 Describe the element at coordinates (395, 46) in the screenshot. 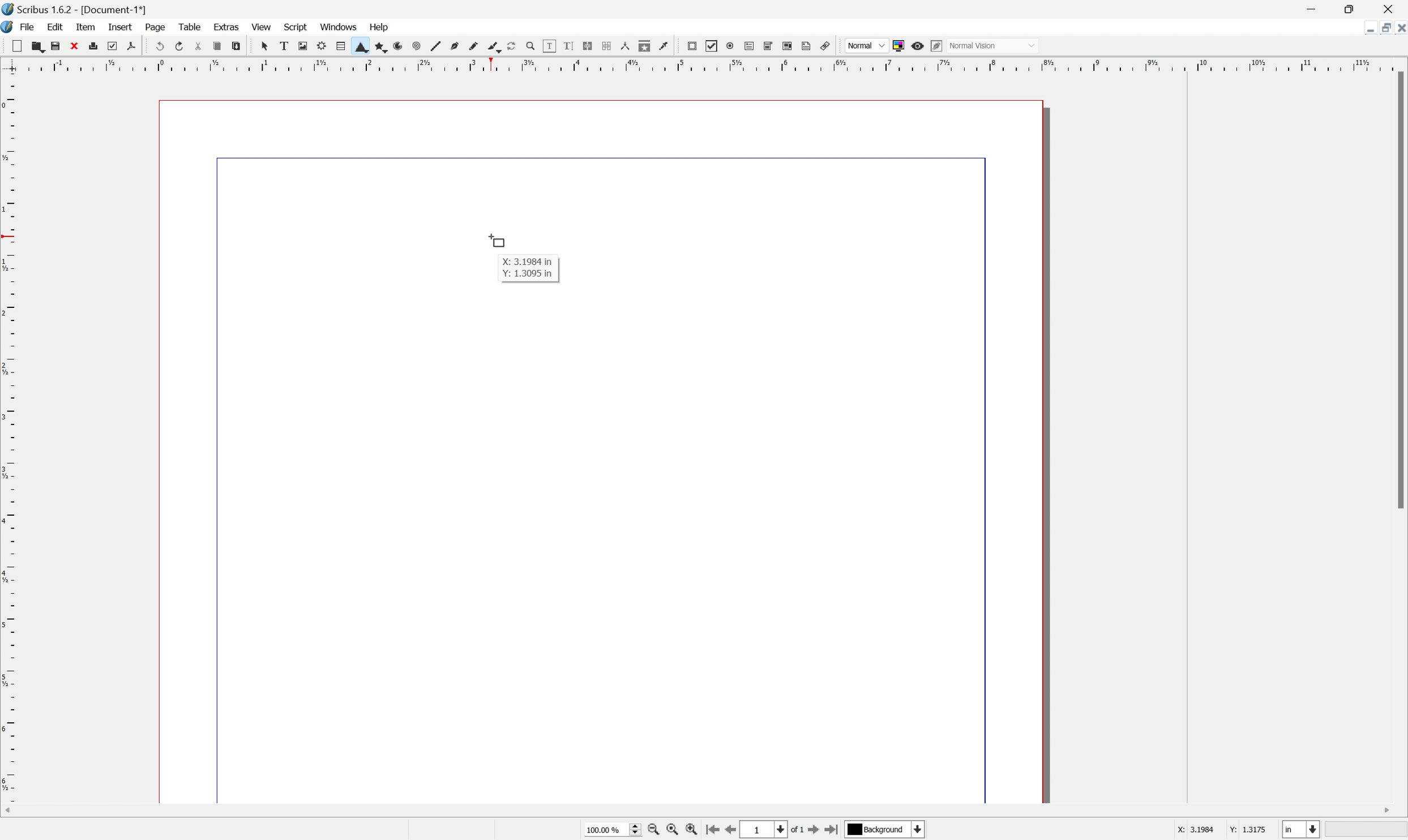

I see `Arc` at that location.